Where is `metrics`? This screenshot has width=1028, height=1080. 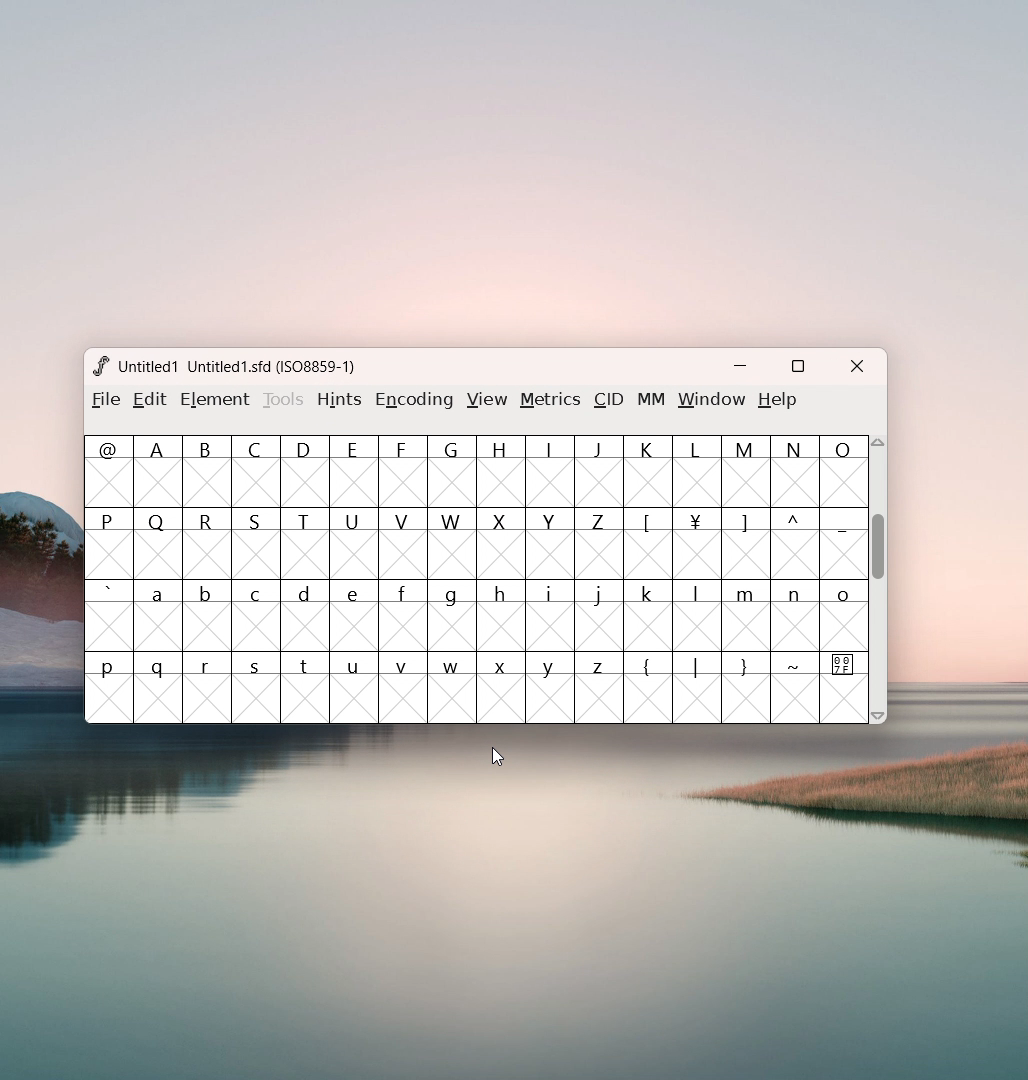 metrics is located at coordinates (551, 401).